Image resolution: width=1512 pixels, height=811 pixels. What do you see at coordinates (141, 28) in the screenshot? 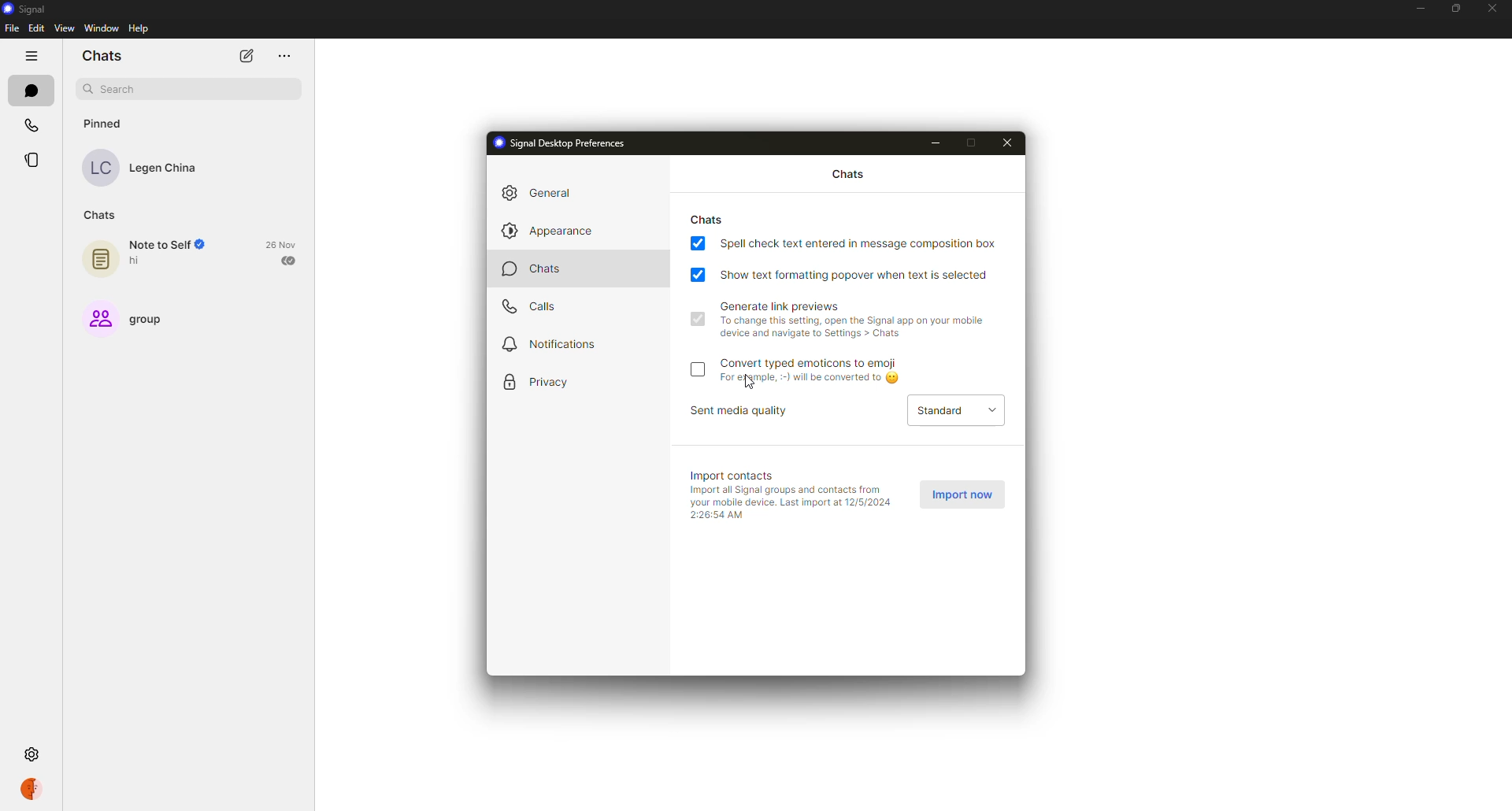
I see `help` at bounding box center [141, 28].